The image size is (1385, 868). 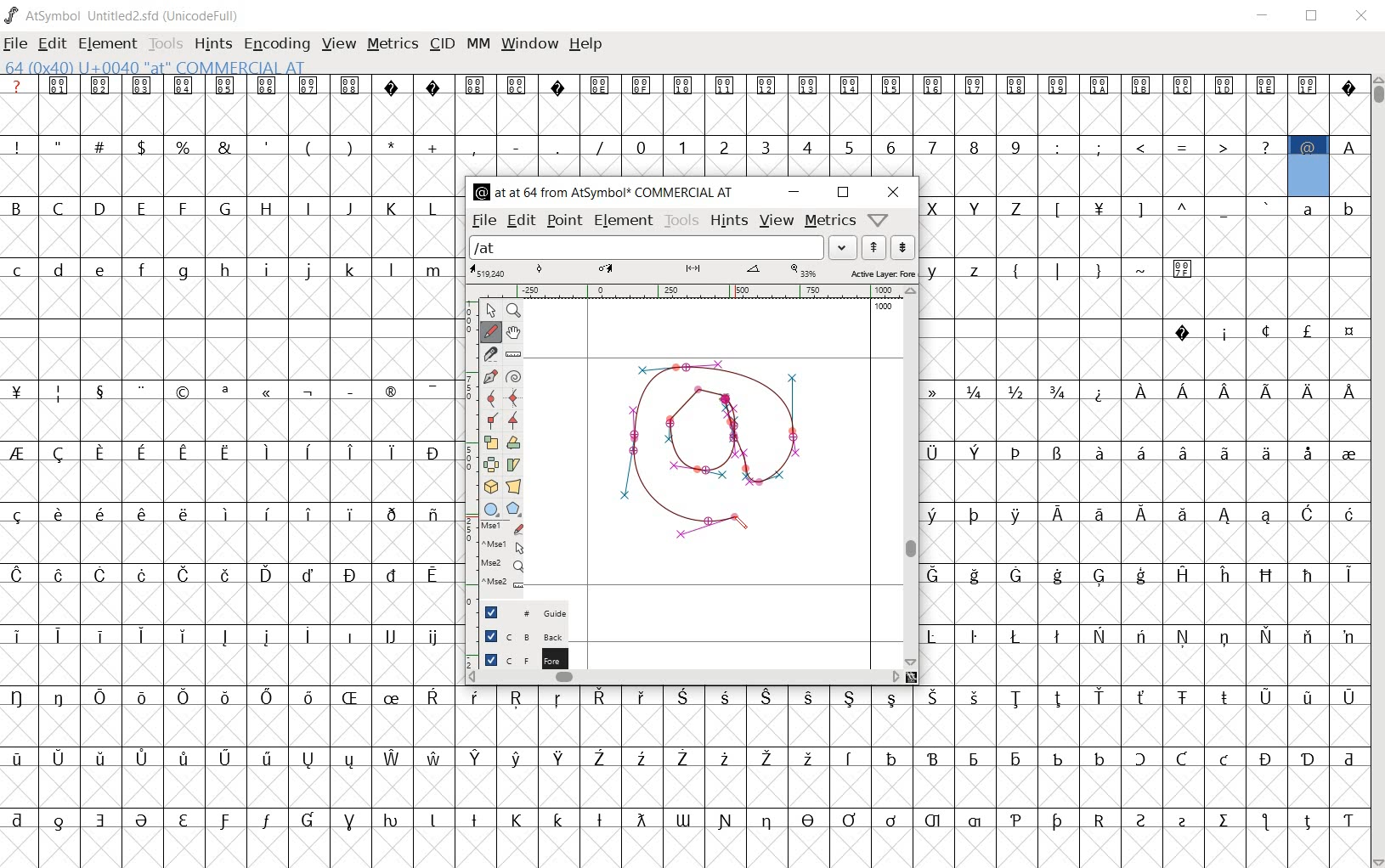 What do you see at coordinates (794, 193) in the screenshot?
I see `minimize` at bounding box center [794, 193].